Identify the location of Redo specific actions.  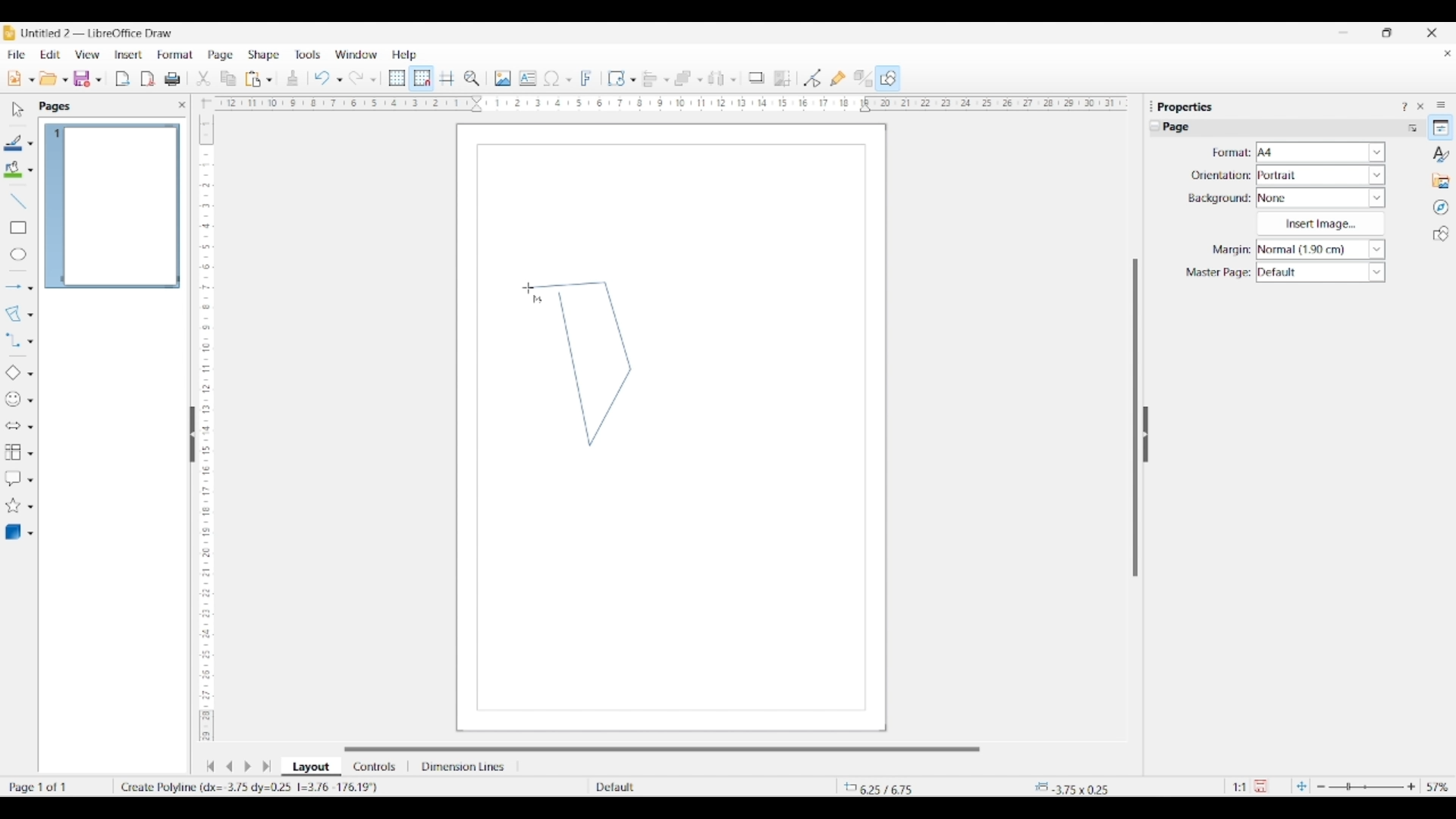
(373, 80).